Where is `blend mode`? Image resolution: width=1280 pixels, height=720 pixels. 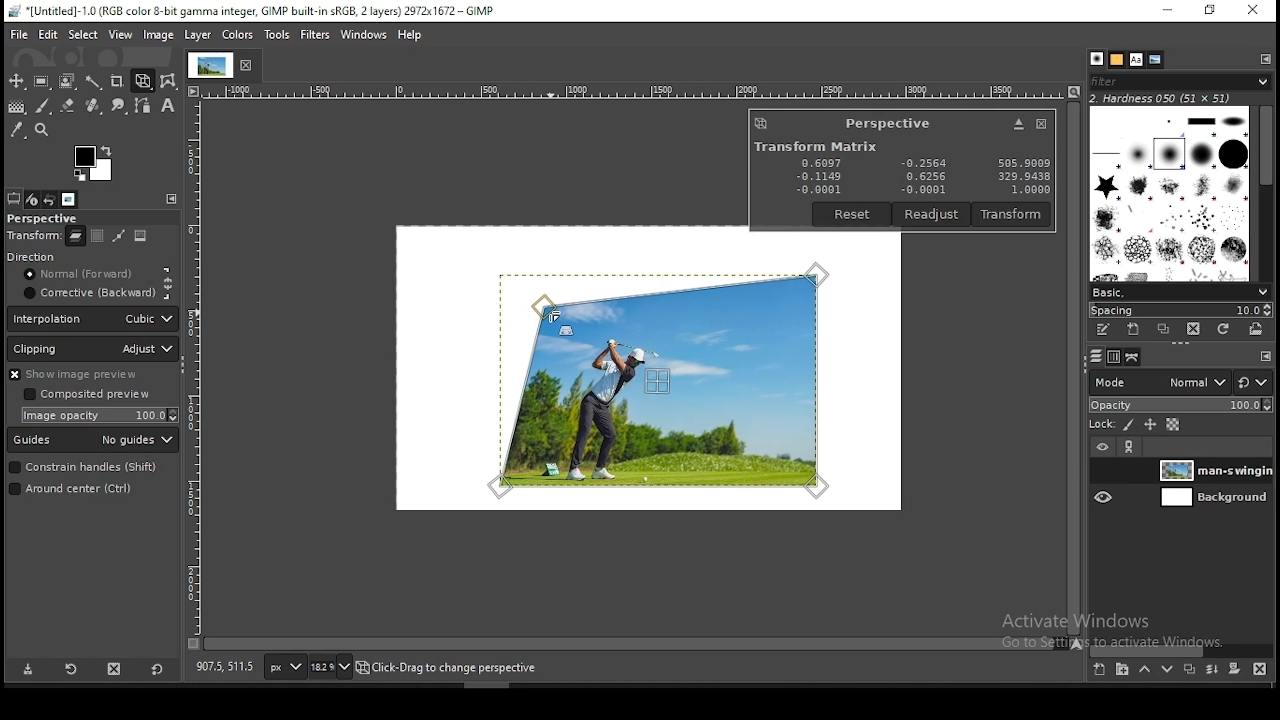
blend mode is located at coordinates (1181, 382).